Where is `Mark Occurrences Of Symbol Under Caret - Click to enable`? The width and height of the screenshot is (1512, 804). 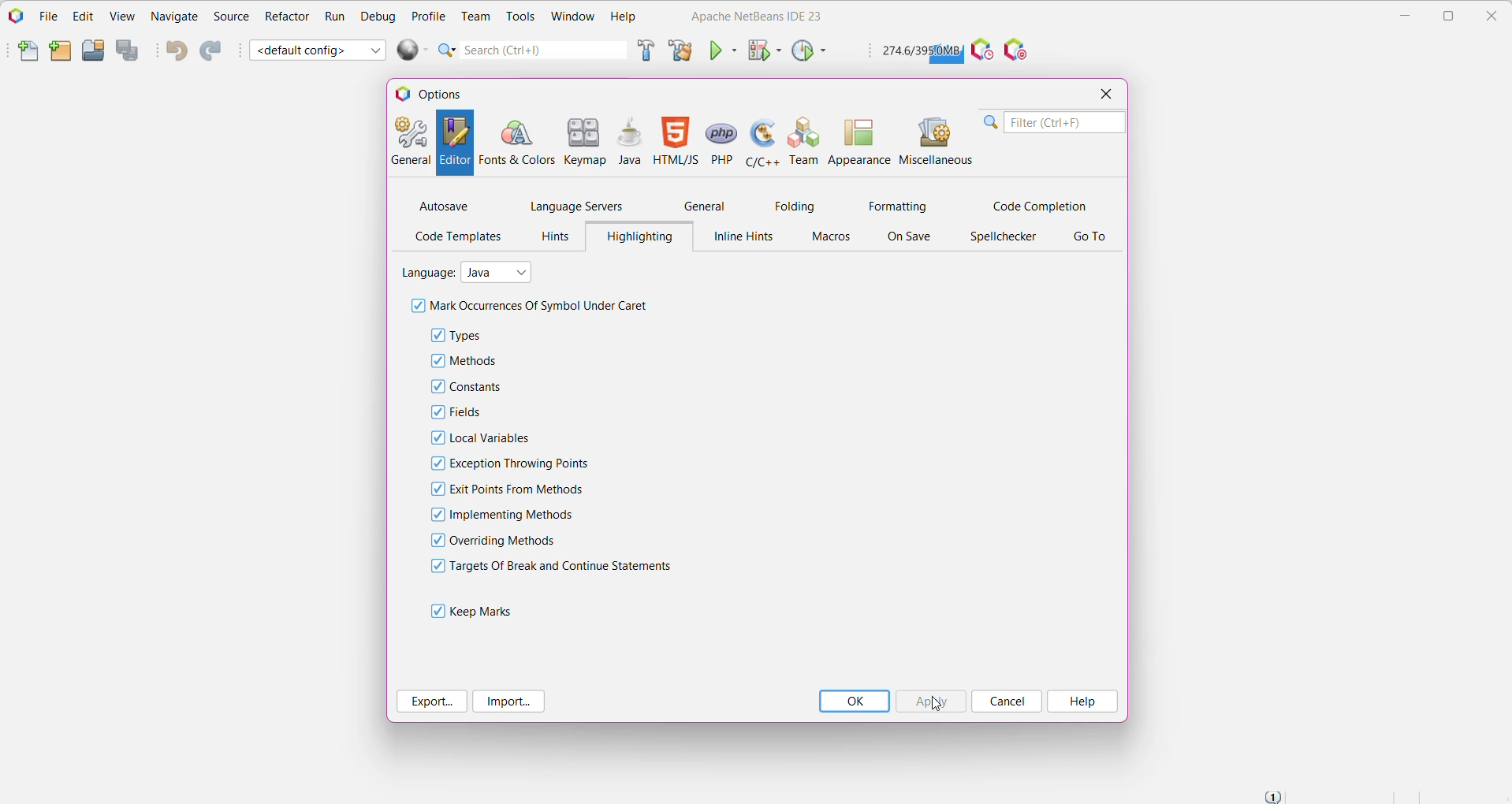 Mark Occurrences Of Symbol Under Caret - Click to enable is located at coordinates (546, 306).